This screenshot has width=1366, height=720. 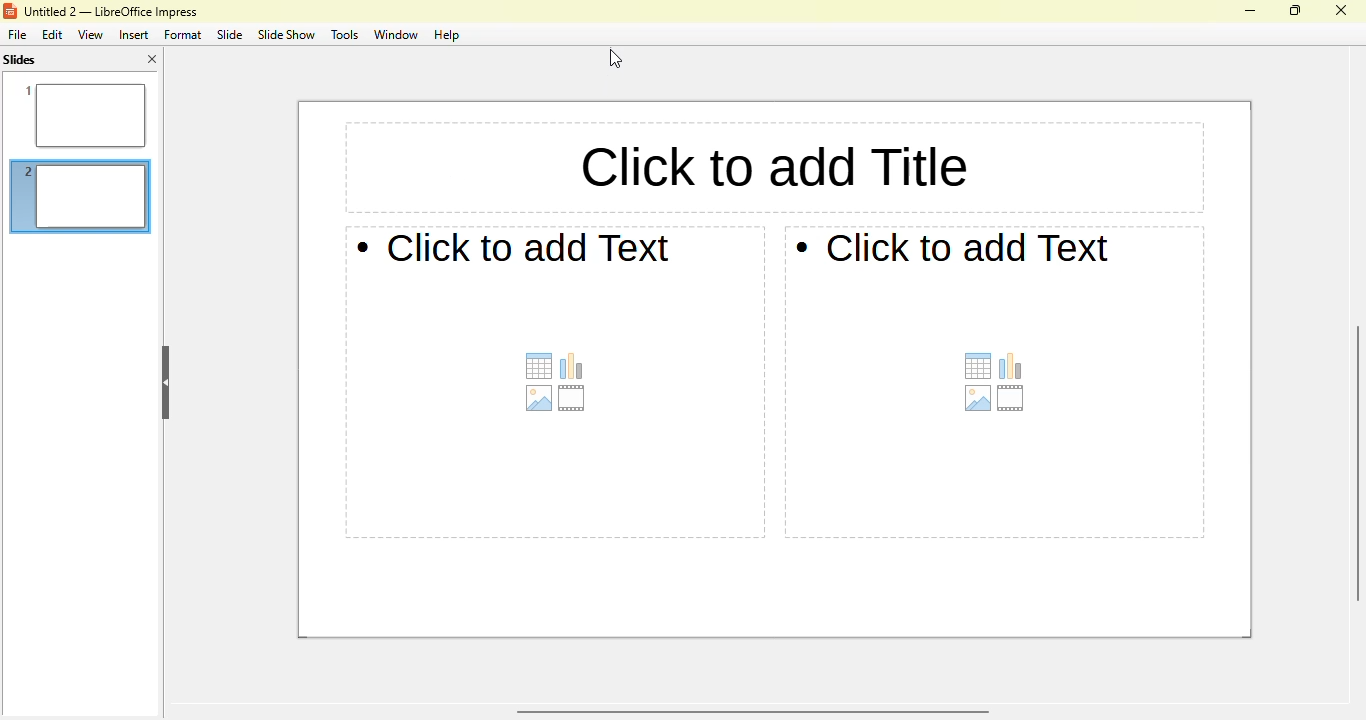 What do you see at coordinates (165, 382) in the screenshot?
I see `hide` at bounding box center [165, 382].